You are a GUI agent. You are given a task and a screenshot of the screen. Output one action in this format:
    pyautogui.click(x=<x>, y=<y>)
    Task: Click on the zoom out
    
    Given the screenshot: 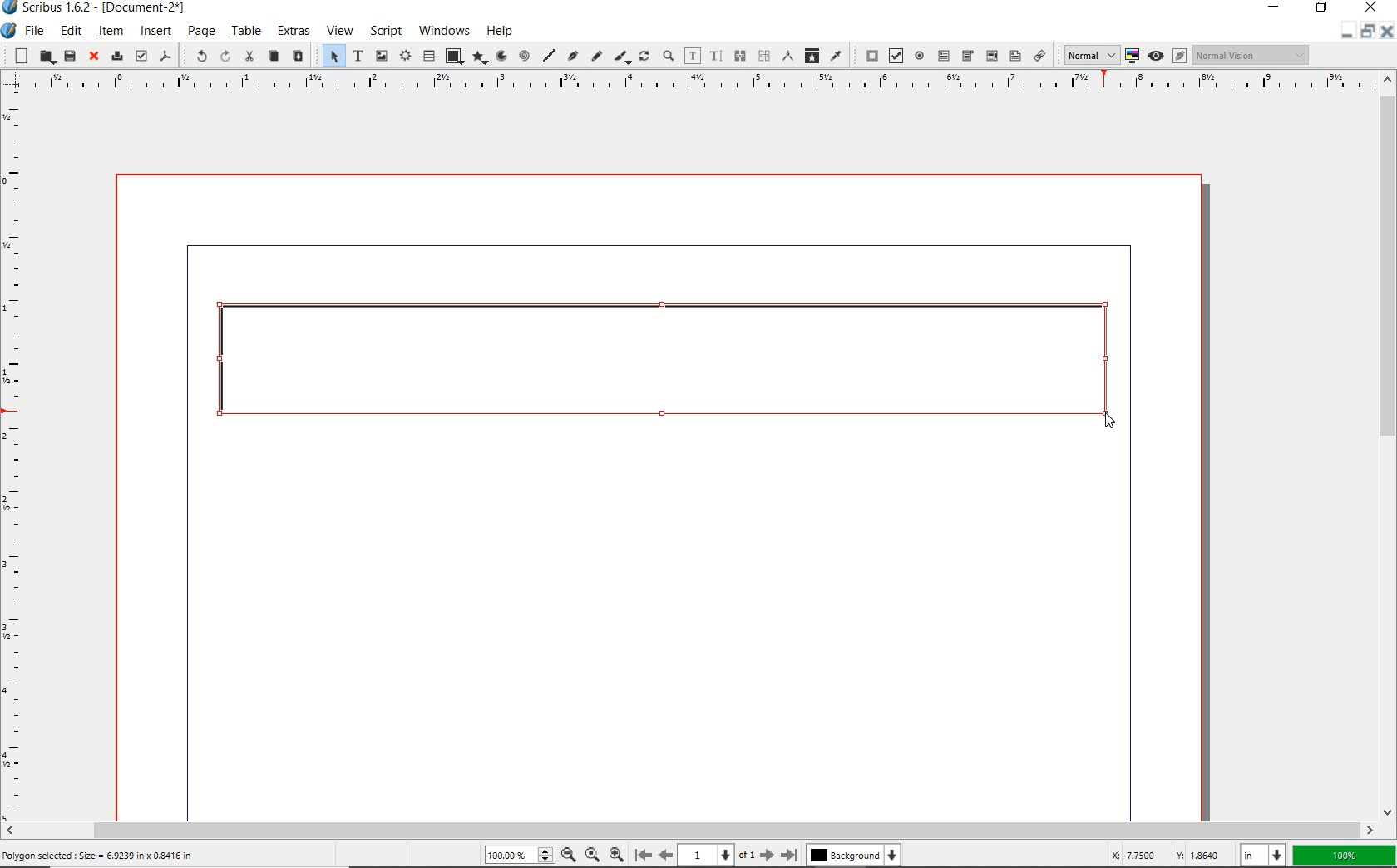 What is the action you would take?
    pyautogui.click(x=616, y=853)
    